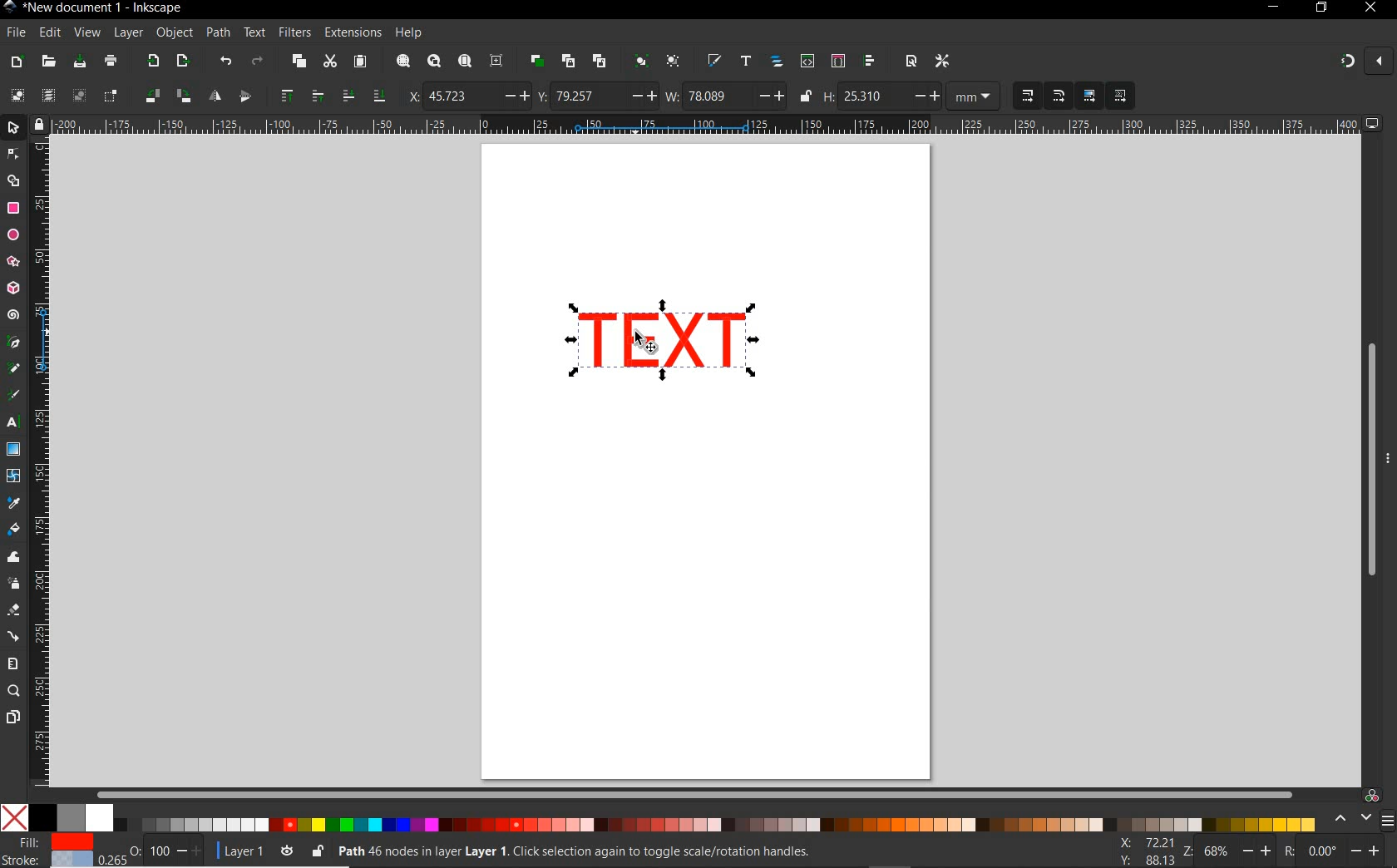 This screenshot has height=868, width=1397. What do you see at coordinates (1044, 96) in the screenshot?
I see `SCALING` at bounding box center [1044, 96].